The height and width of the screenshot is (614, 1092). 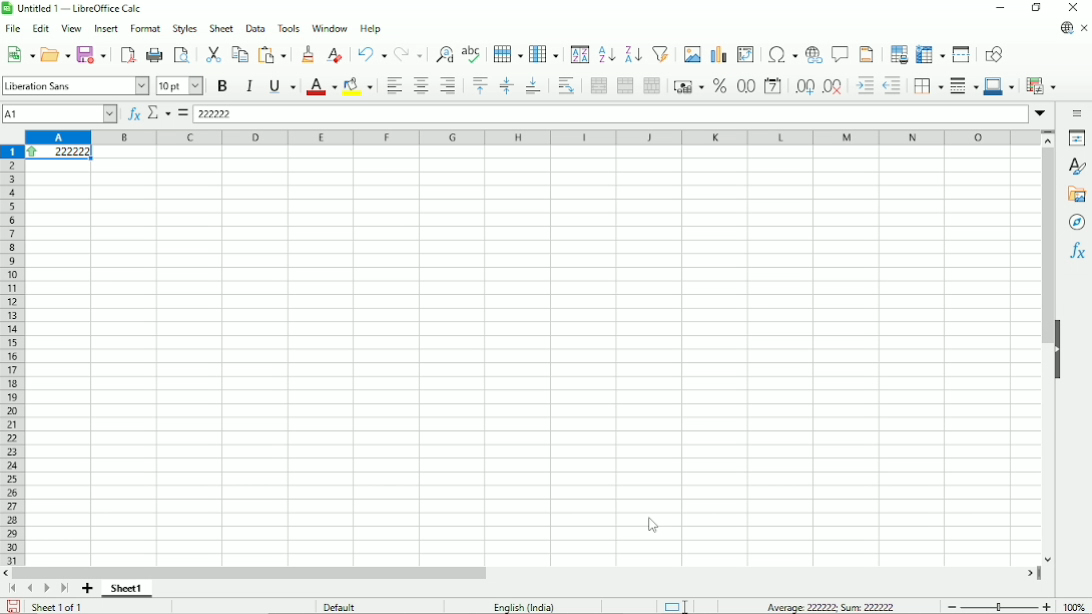 What do you see at coordinates (308, 53) in the screenshot?
I see `Clone formatting` at bounding box center [308, 53].